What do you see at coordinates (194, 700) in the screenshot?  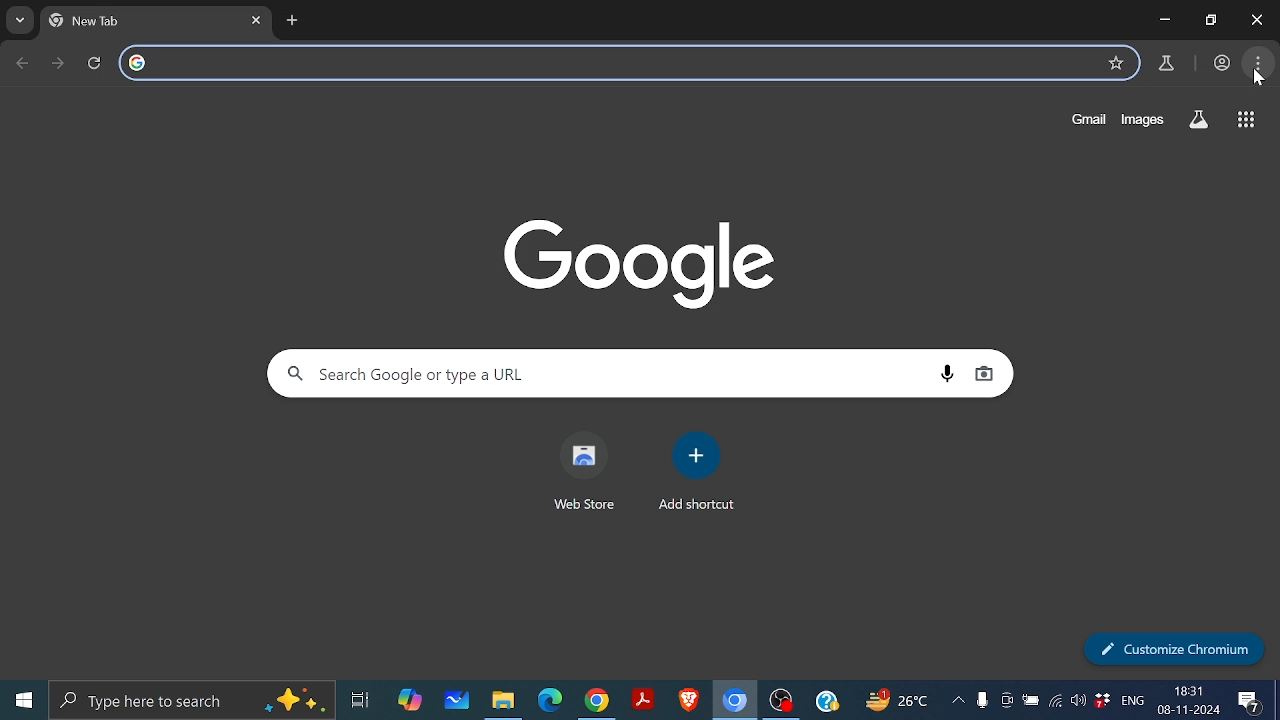 I see `type here to search` at bounding box center [194, 700].